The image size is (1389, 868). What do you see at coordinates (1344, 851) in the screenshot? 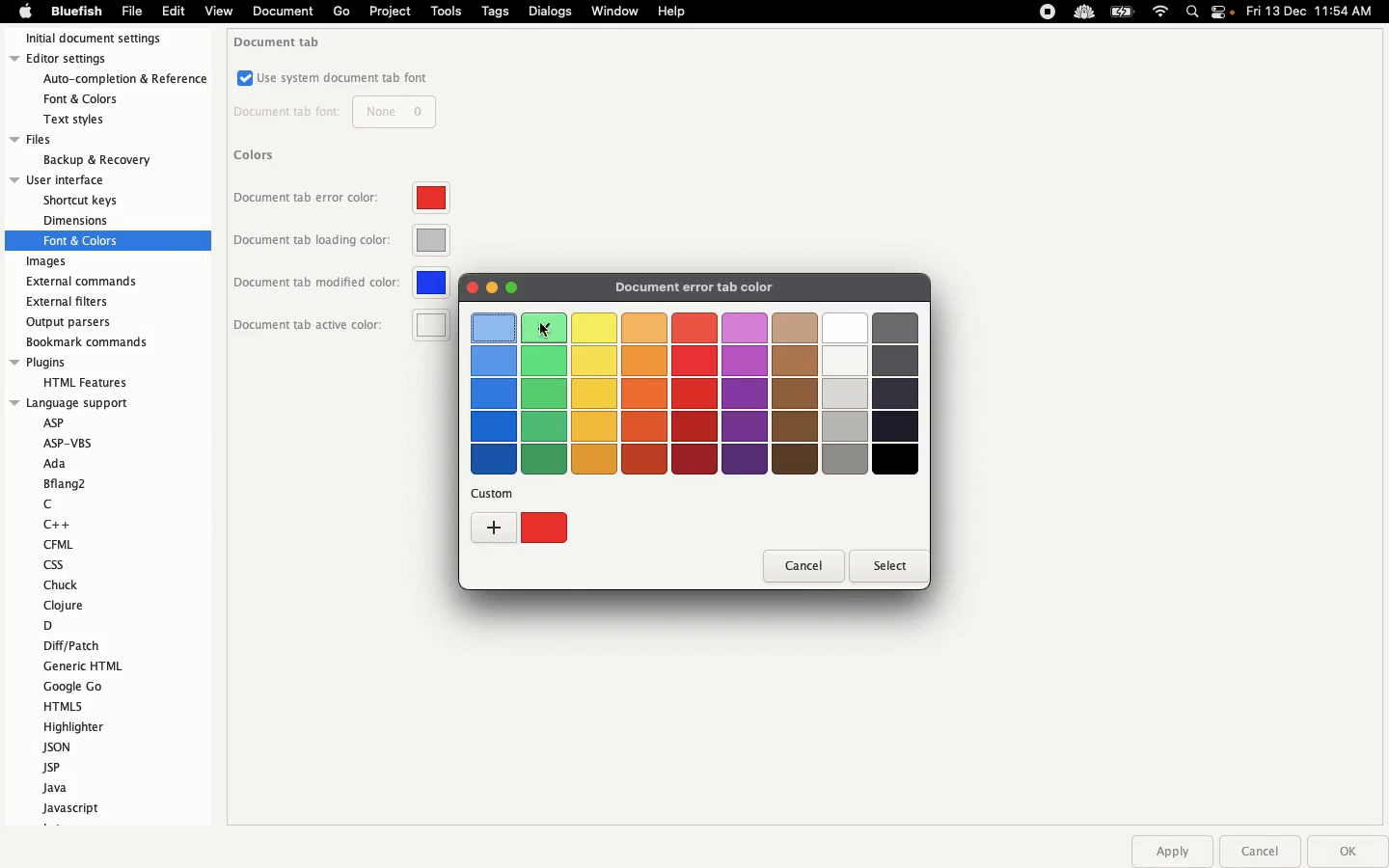
I see `Ok` at bounding box center [1344, 851].